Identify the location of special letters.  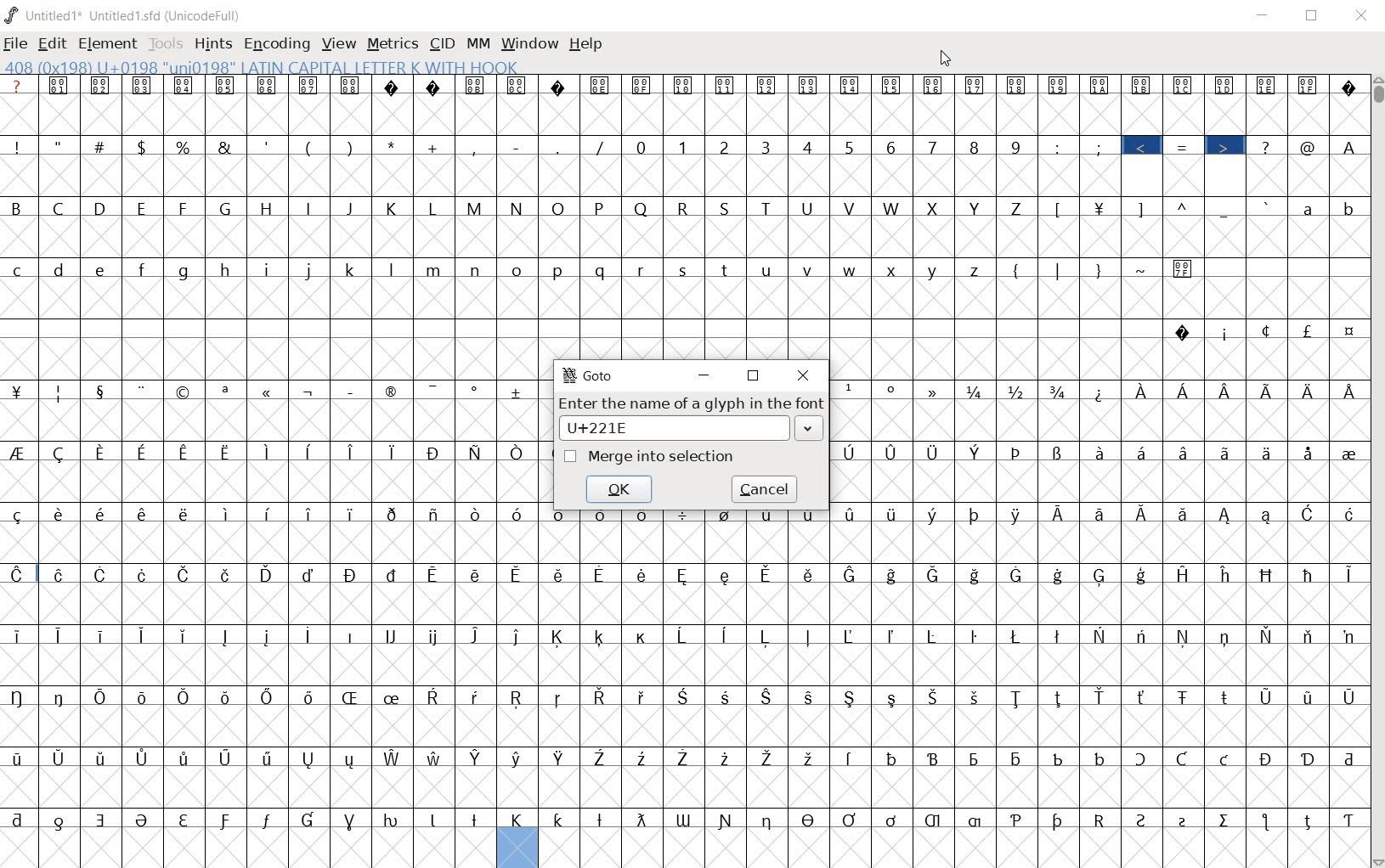
(273, 451).